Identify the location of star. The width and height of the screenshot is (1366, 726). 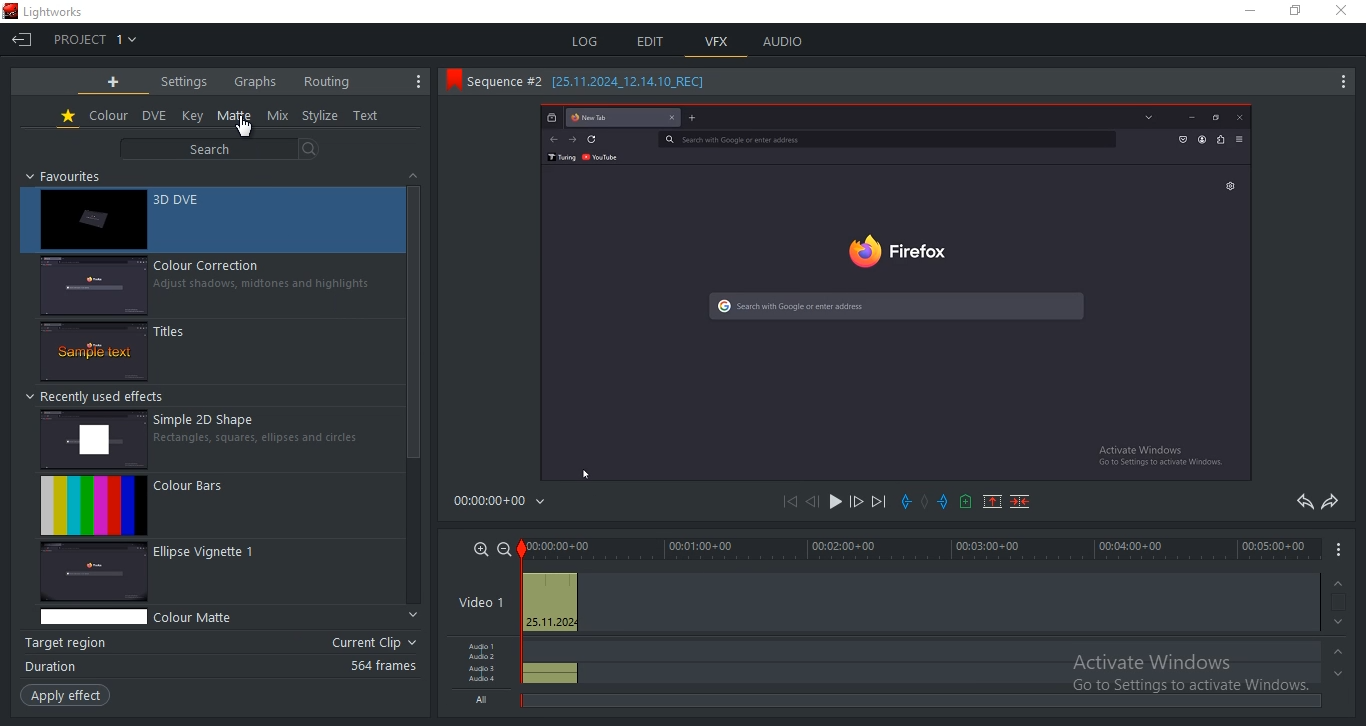
(69, 117).